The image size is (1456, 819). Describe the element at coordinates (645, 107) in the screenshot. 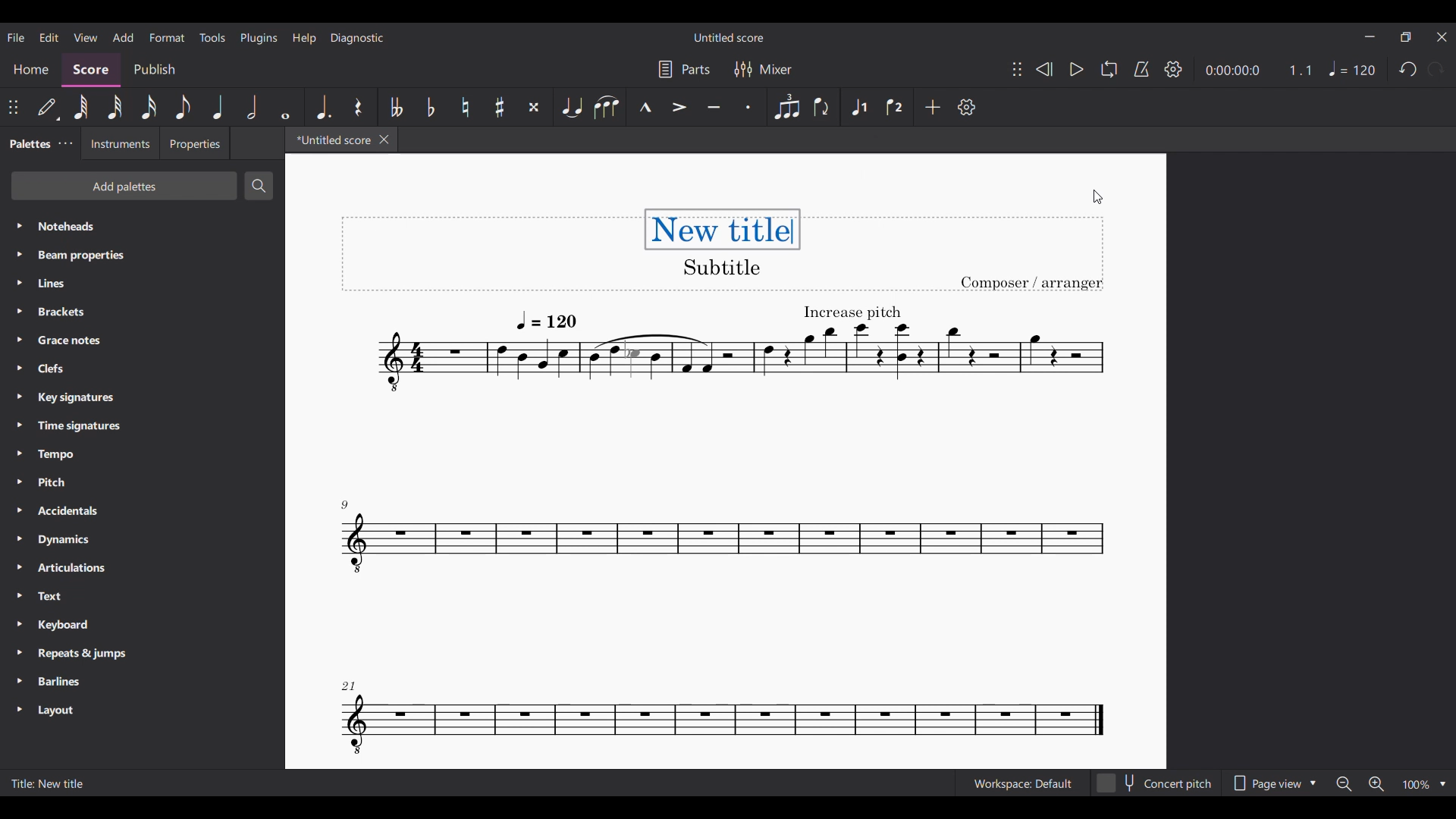

I see `Marcato` at that location.